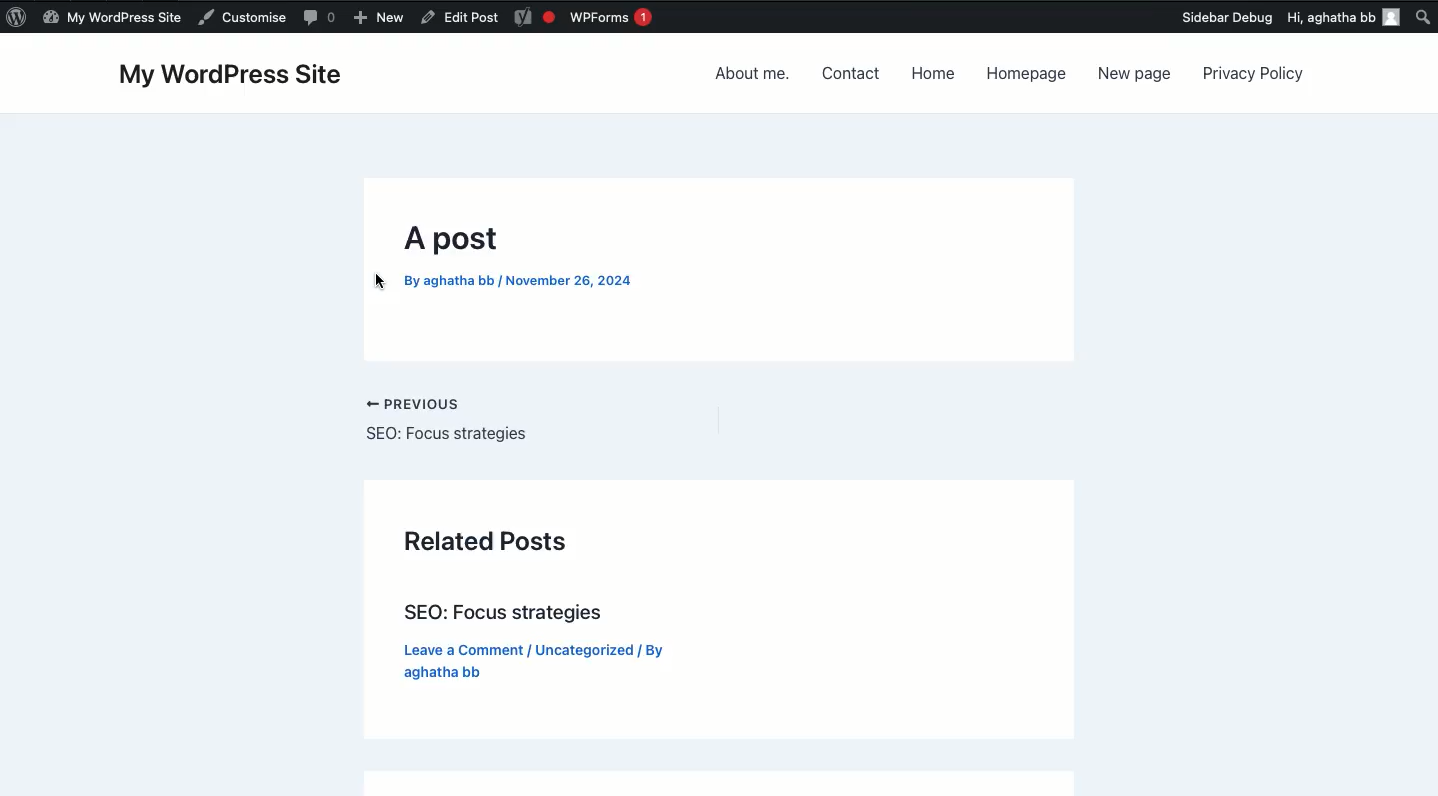  What do you see at coordinates (753, 74) in the screenshot?
I see `About me` at bounding box center [753, 74].